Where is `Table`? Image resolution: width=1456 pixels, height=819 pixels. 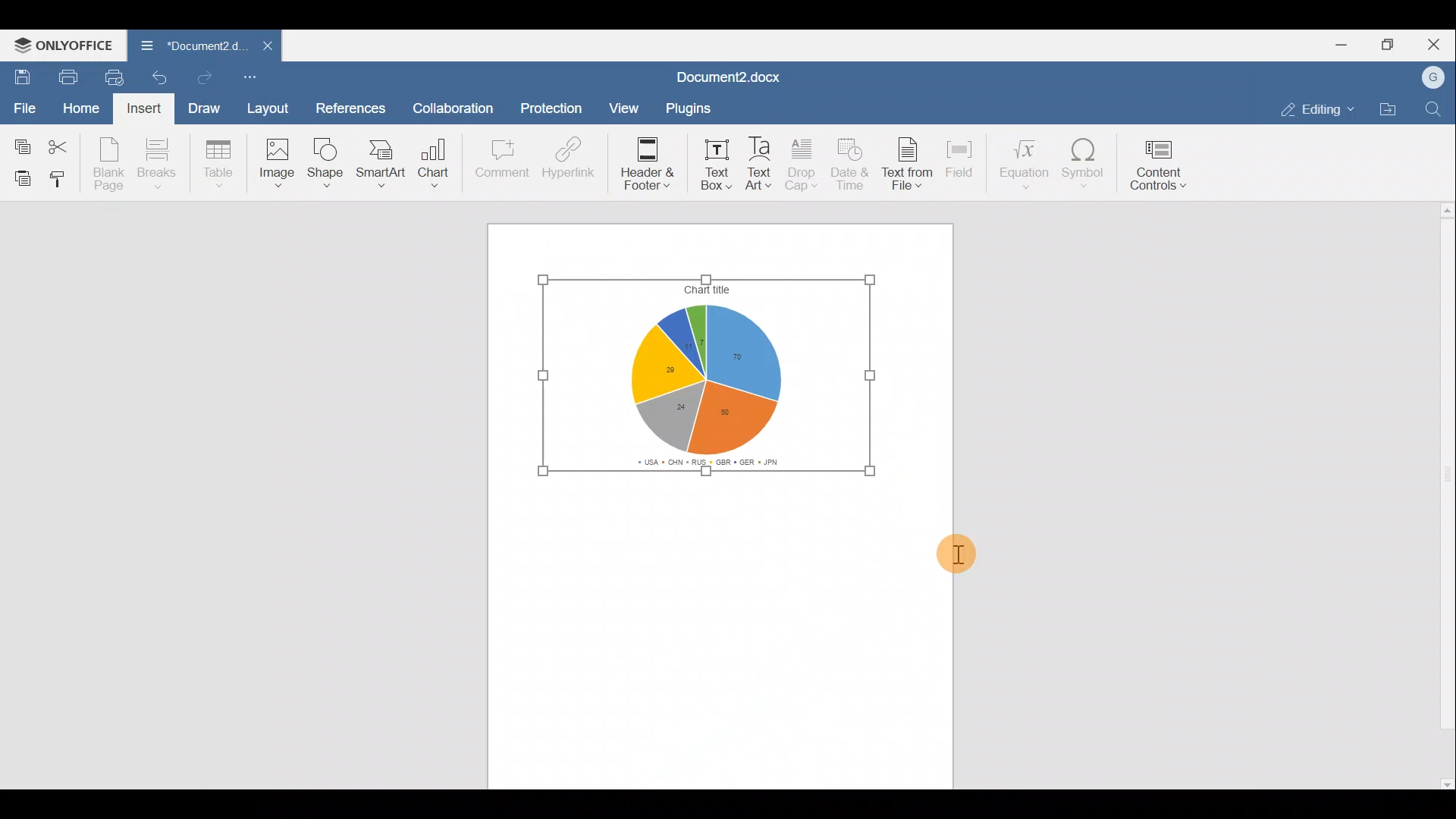
Table is located at coordinates (218, 161).